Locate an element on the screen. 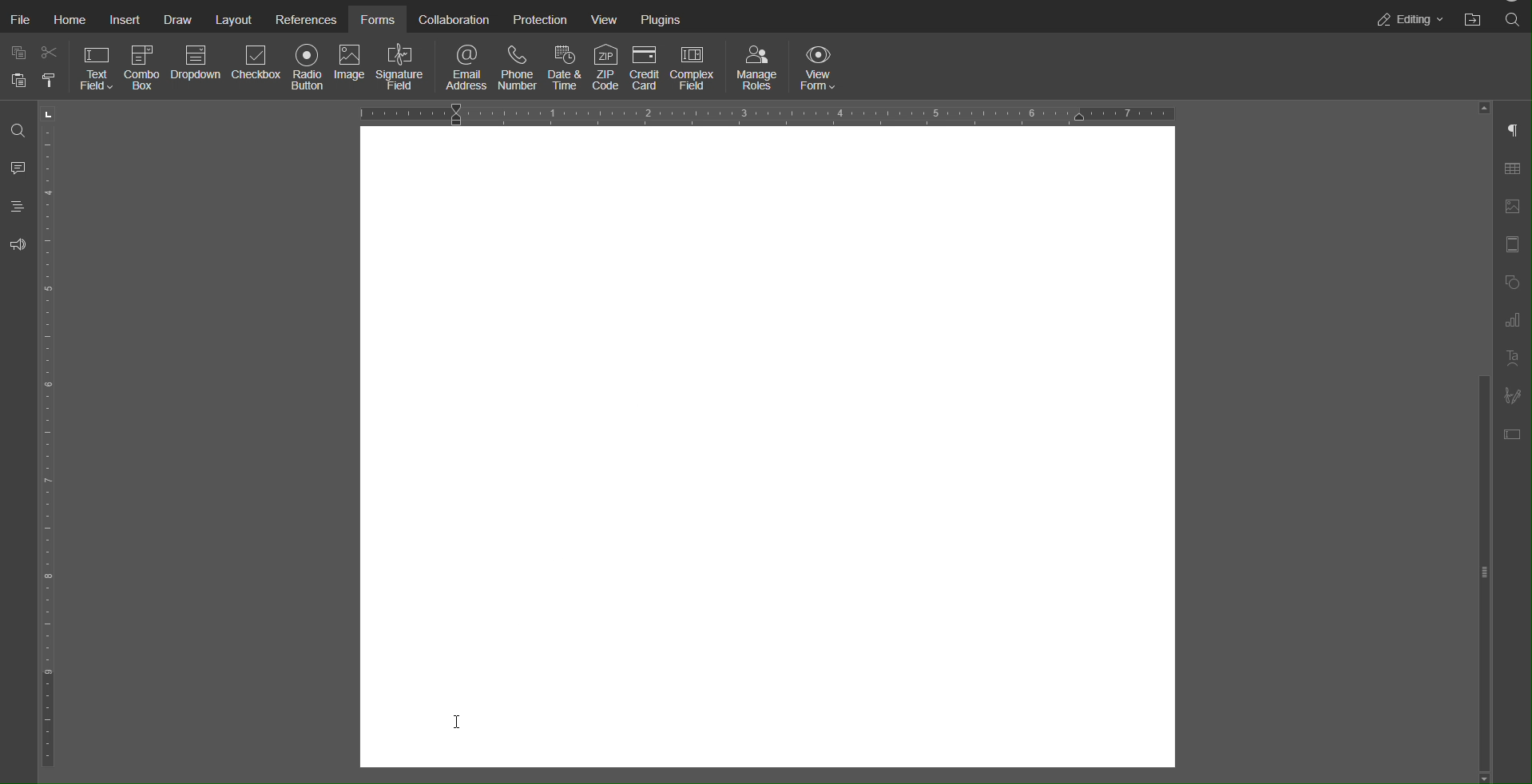 The width and height of the screenshot is (1532, 784). Image Settings is located at coordinates (1513, 206).